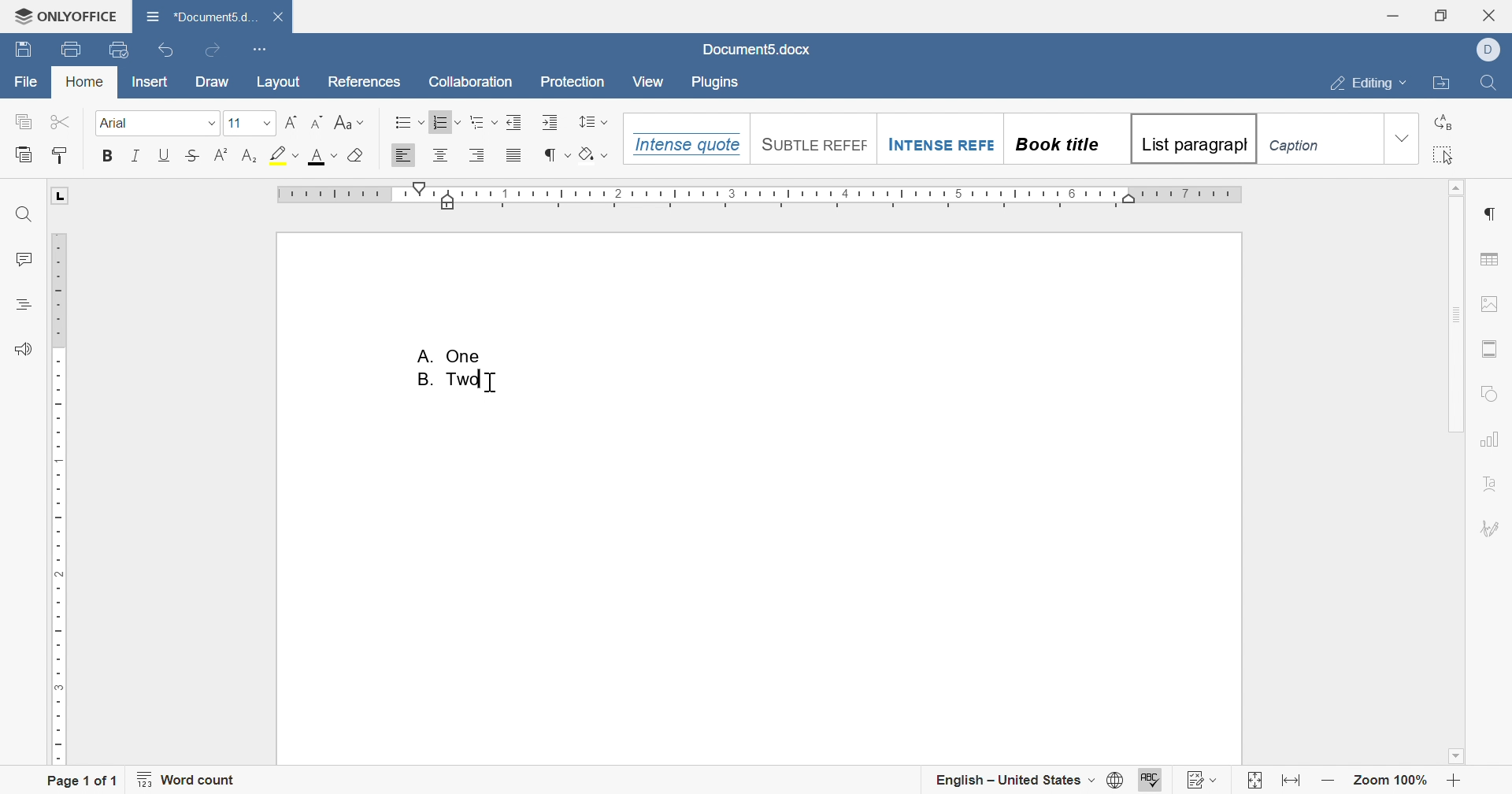 The height and width of the screenshot is (794, 1512). Describe the element at coordinates (26, 50) in the screenshot. I see `save` at that location.